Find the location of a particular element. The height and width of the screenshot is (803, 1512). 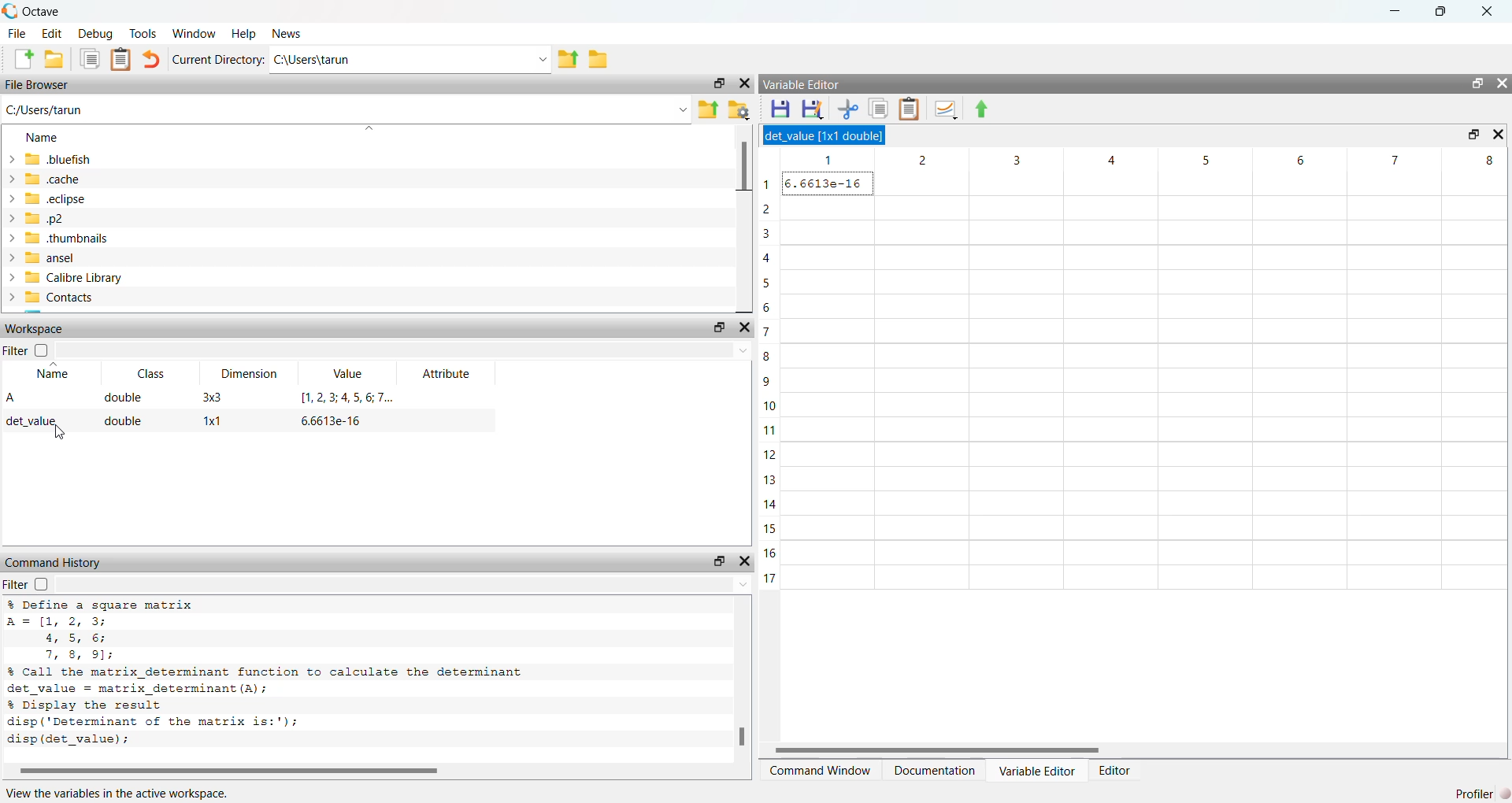

maximize is located at coordinates (719, 561).